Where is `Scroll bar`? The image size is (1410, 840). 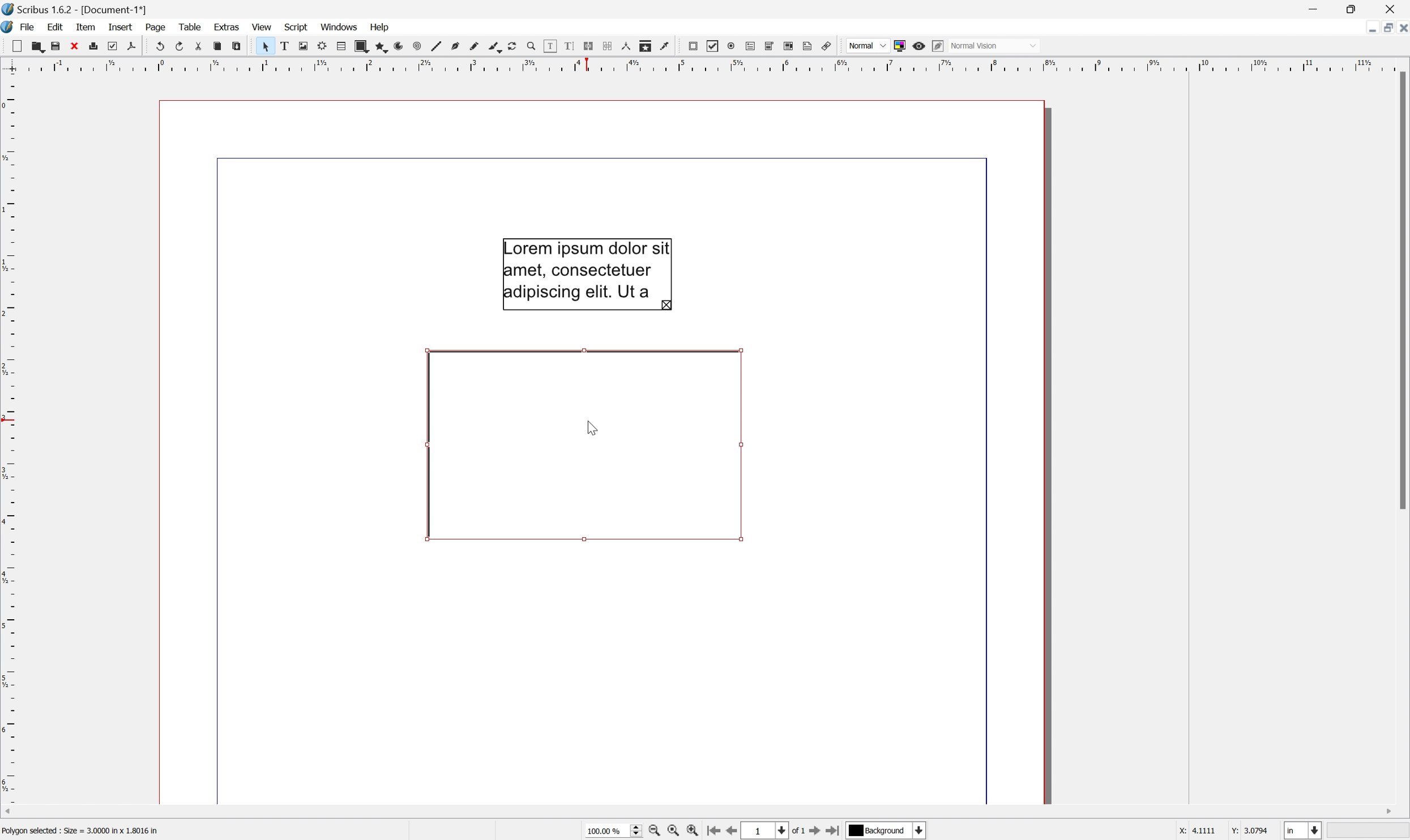 Scroll bar is located at coordinates (1401, 293).